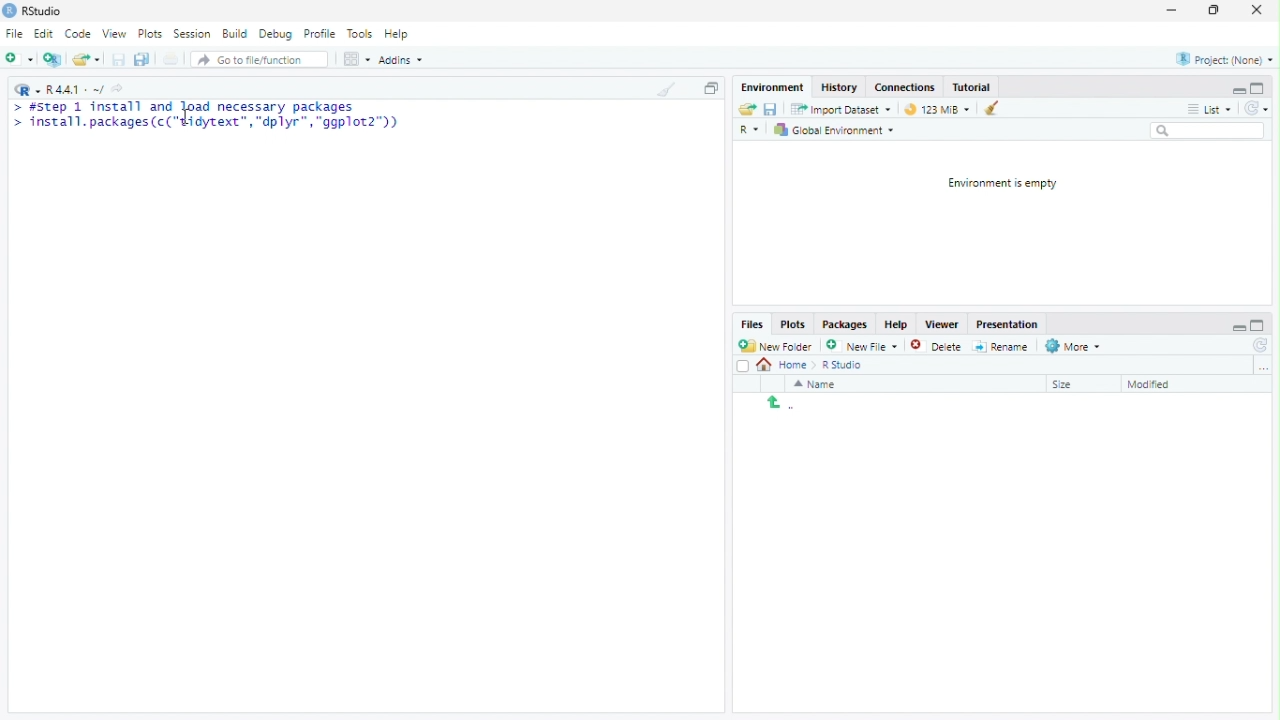 This screenshot has width=1280, height=720. What do you see at coordinates (923, 346) in the screenshot?
I see `Delete` at bounding box center [923, 346].